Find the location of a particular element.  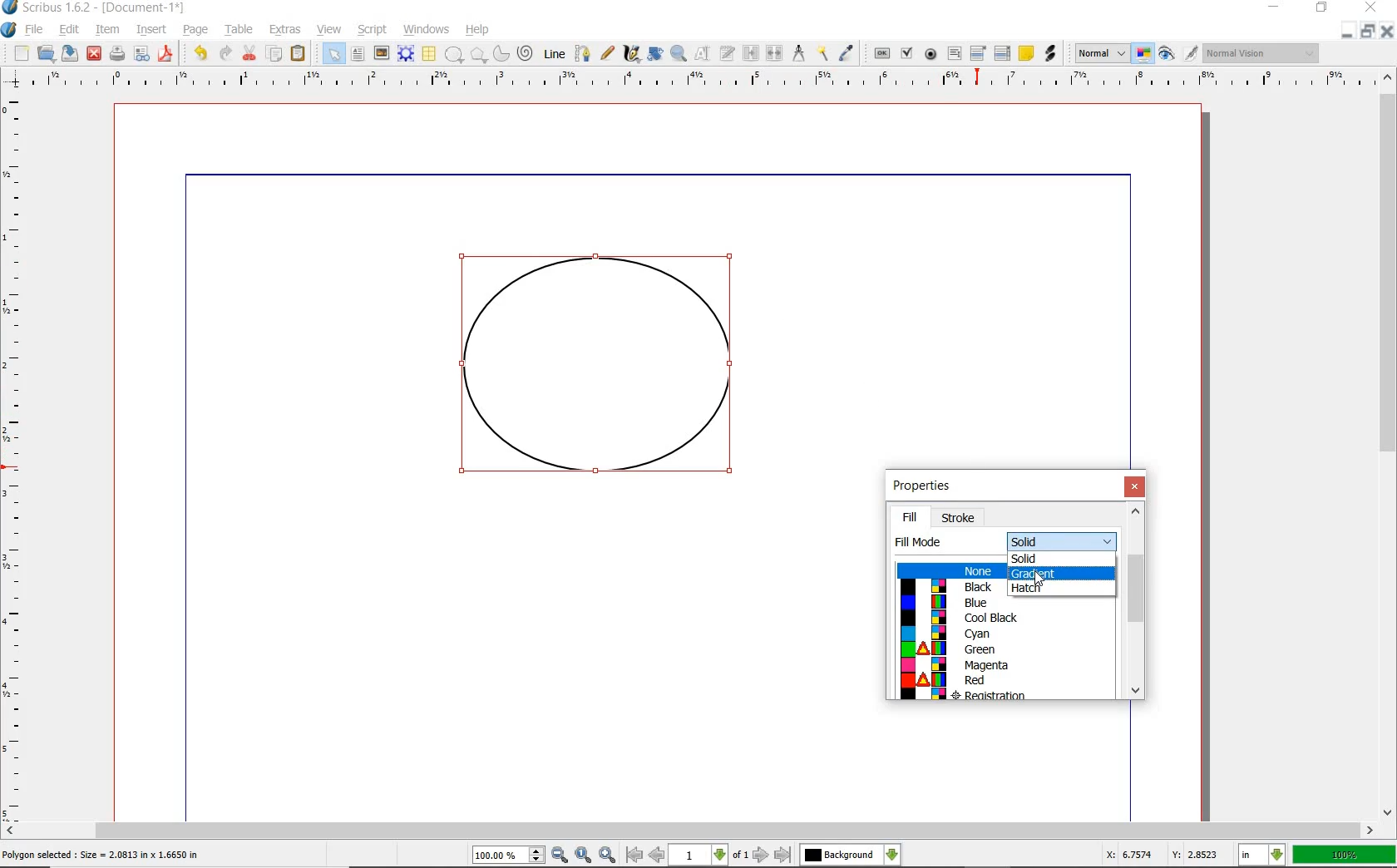

color is located at coordinates (1005, 664).